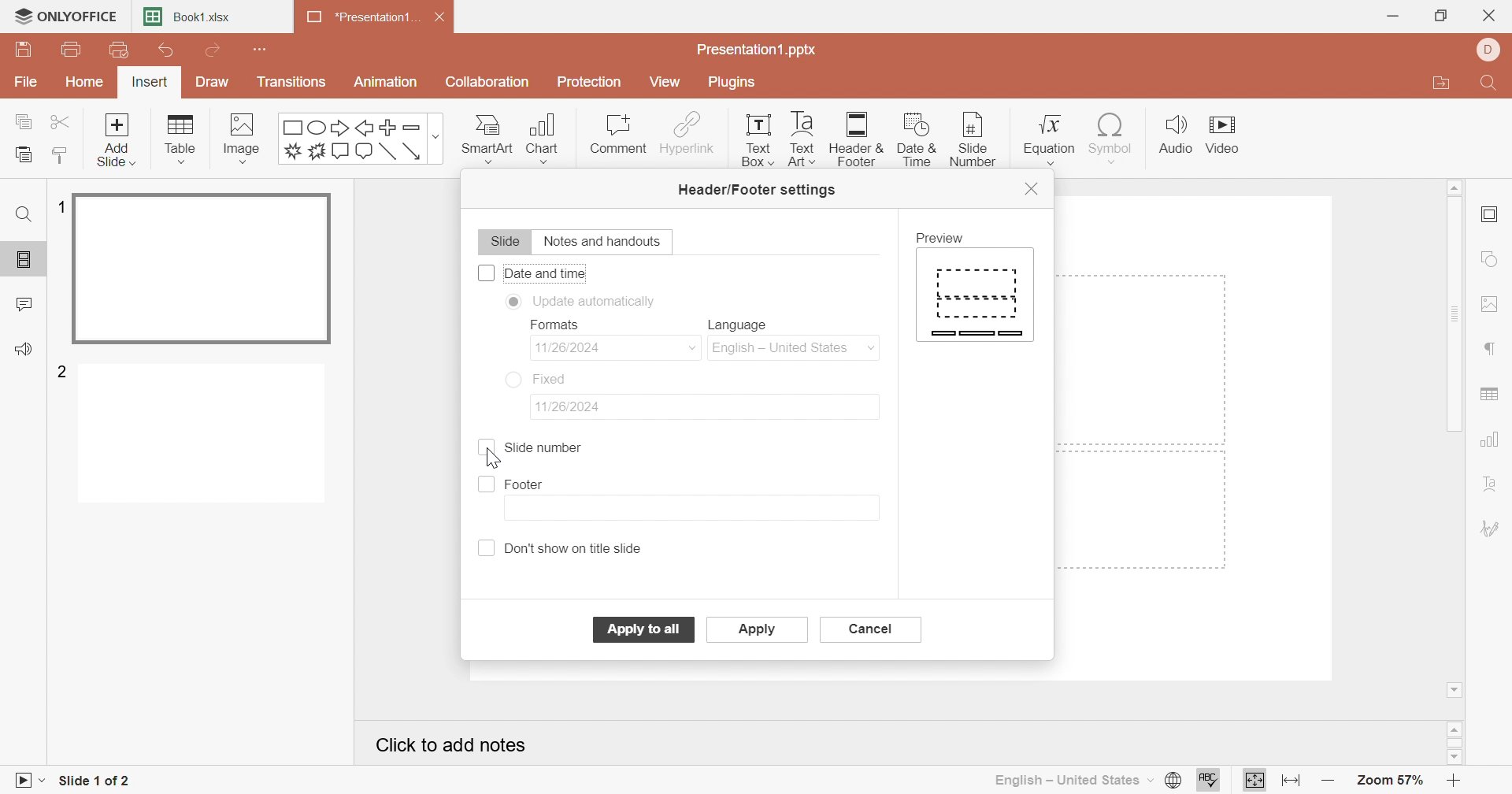  Describe the element at coordinates (967, 139) in the screenshot. I see `Slide number` at that location.